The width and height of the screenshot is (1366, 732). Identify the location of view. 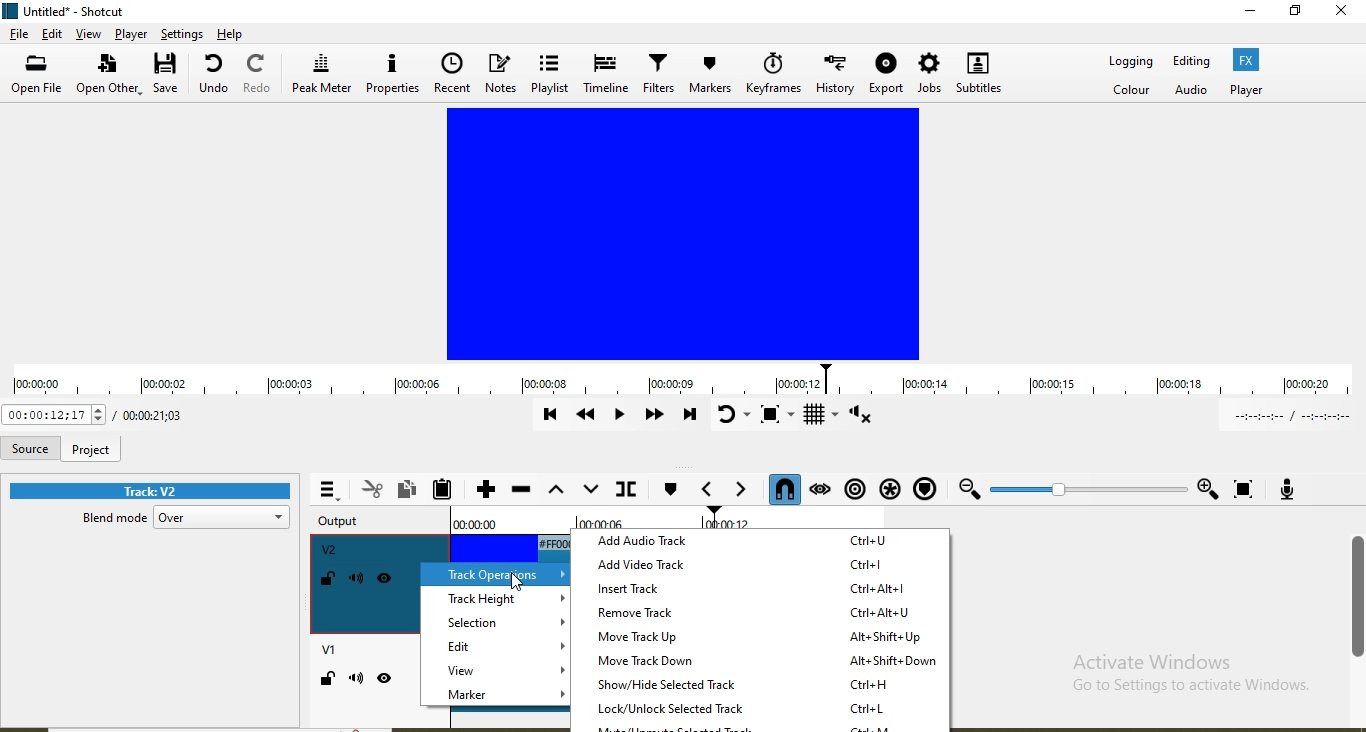
(86, 34).